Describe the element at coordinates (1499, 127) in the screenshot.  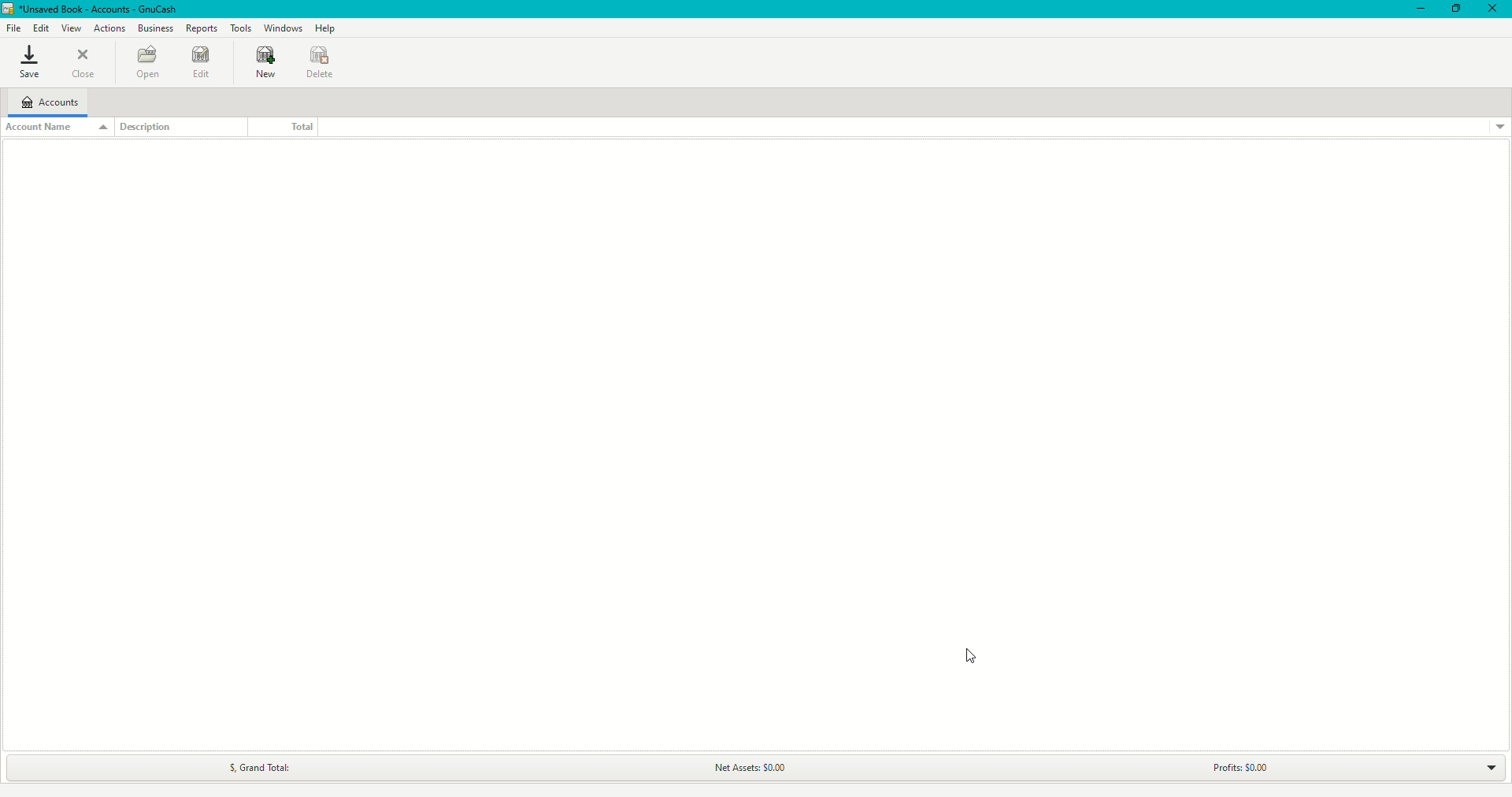
I see `Drop down` at that location.